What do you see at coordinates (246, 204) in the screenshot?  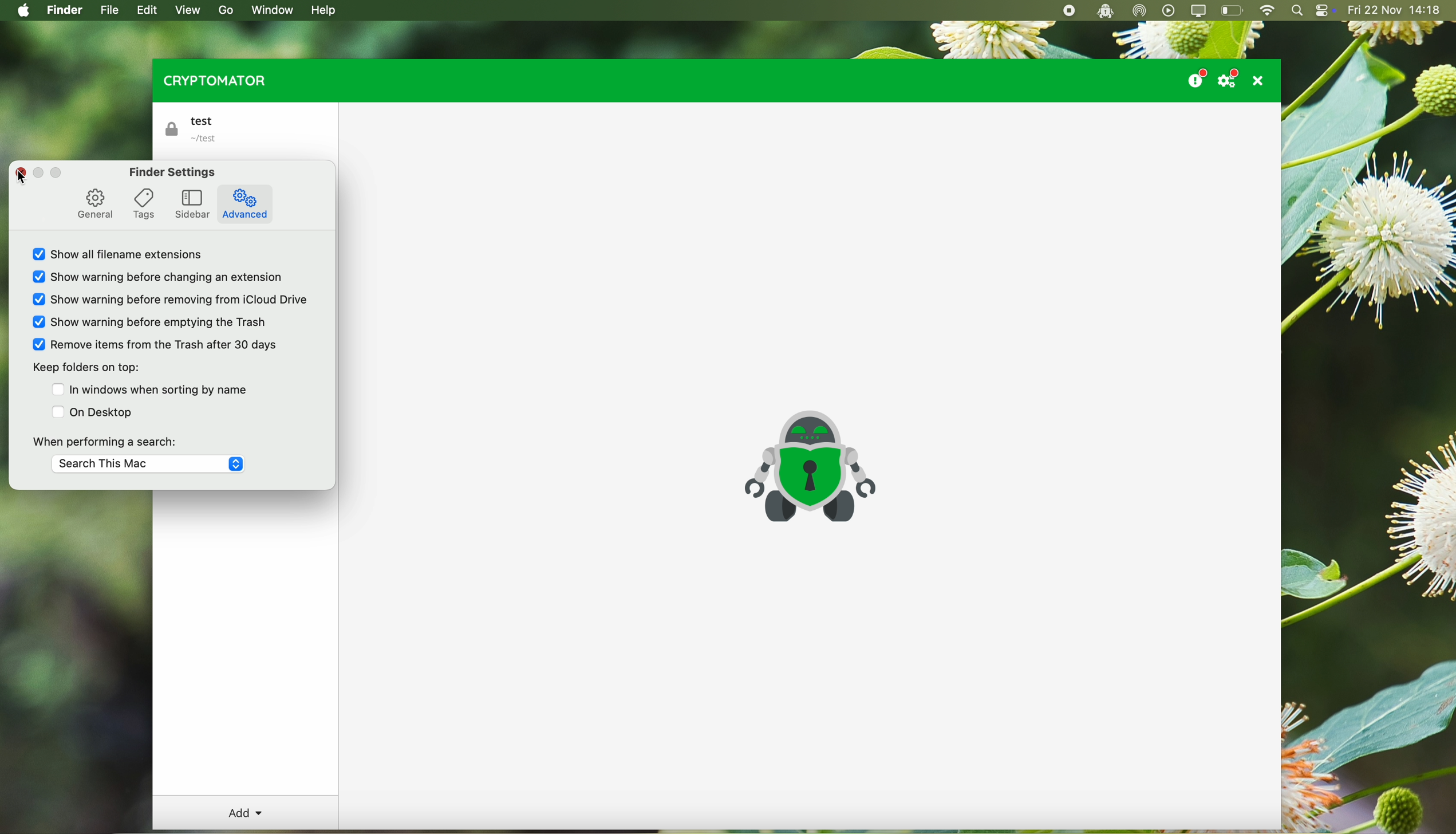 I see `advanced` at bounding box center [246, 204].